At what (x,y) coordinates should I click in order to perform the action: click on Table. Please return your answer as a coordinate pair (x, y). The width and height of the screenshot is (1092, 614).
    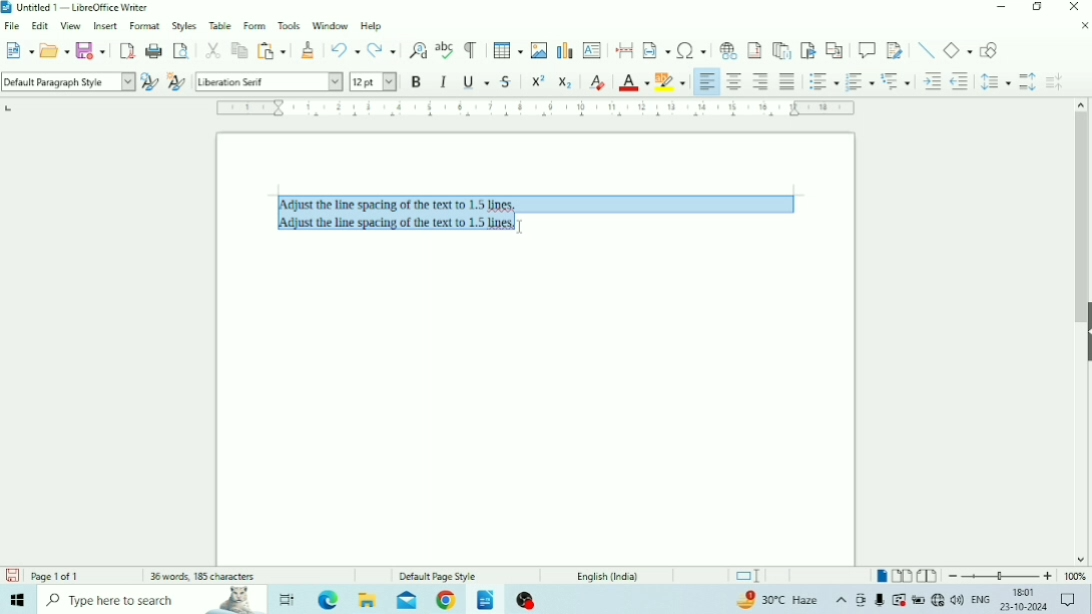
    Looking at the image, I should click on (221, 25).